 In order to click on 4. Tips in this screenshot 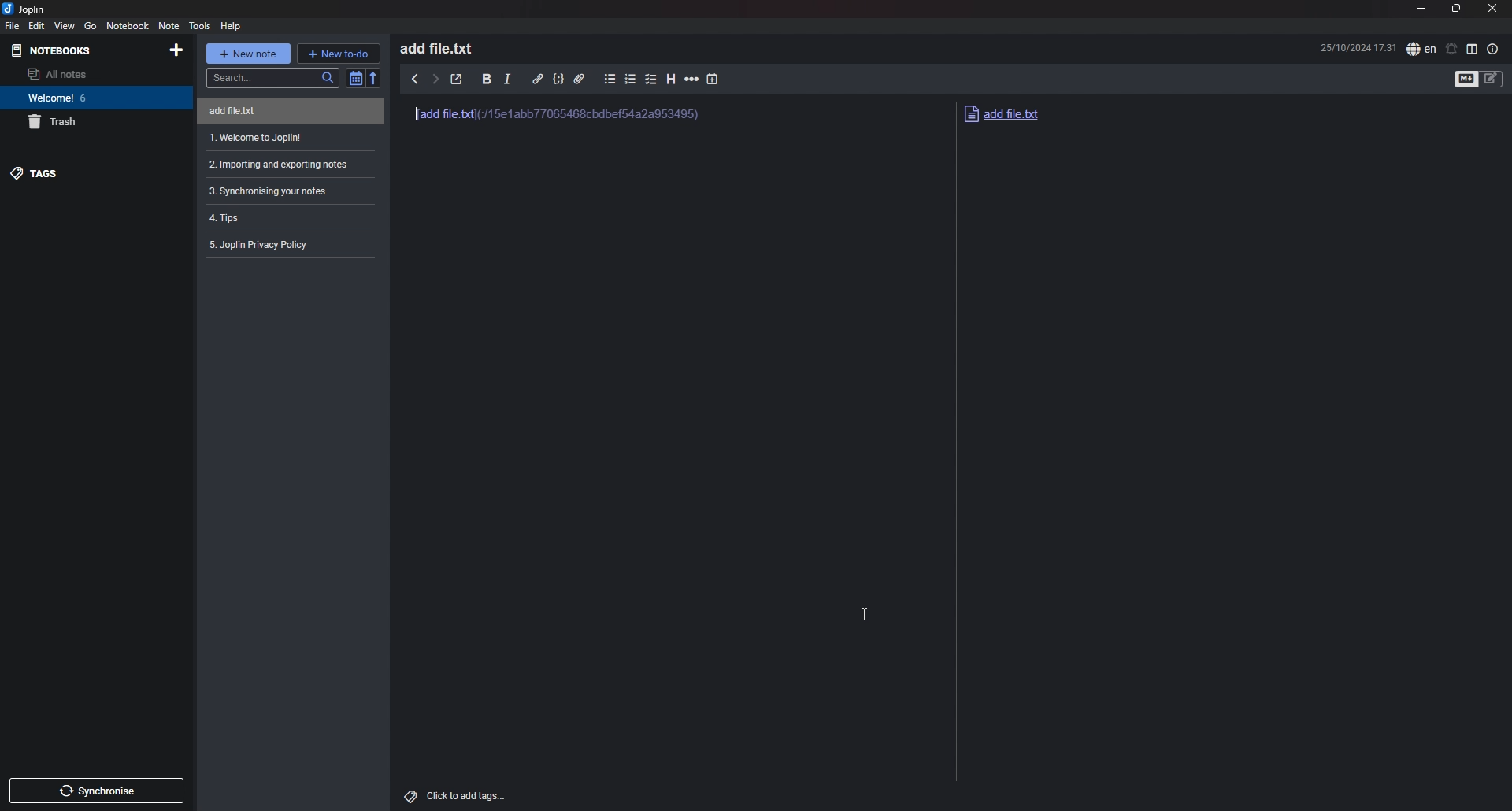, I will do `click(285, 217)`.